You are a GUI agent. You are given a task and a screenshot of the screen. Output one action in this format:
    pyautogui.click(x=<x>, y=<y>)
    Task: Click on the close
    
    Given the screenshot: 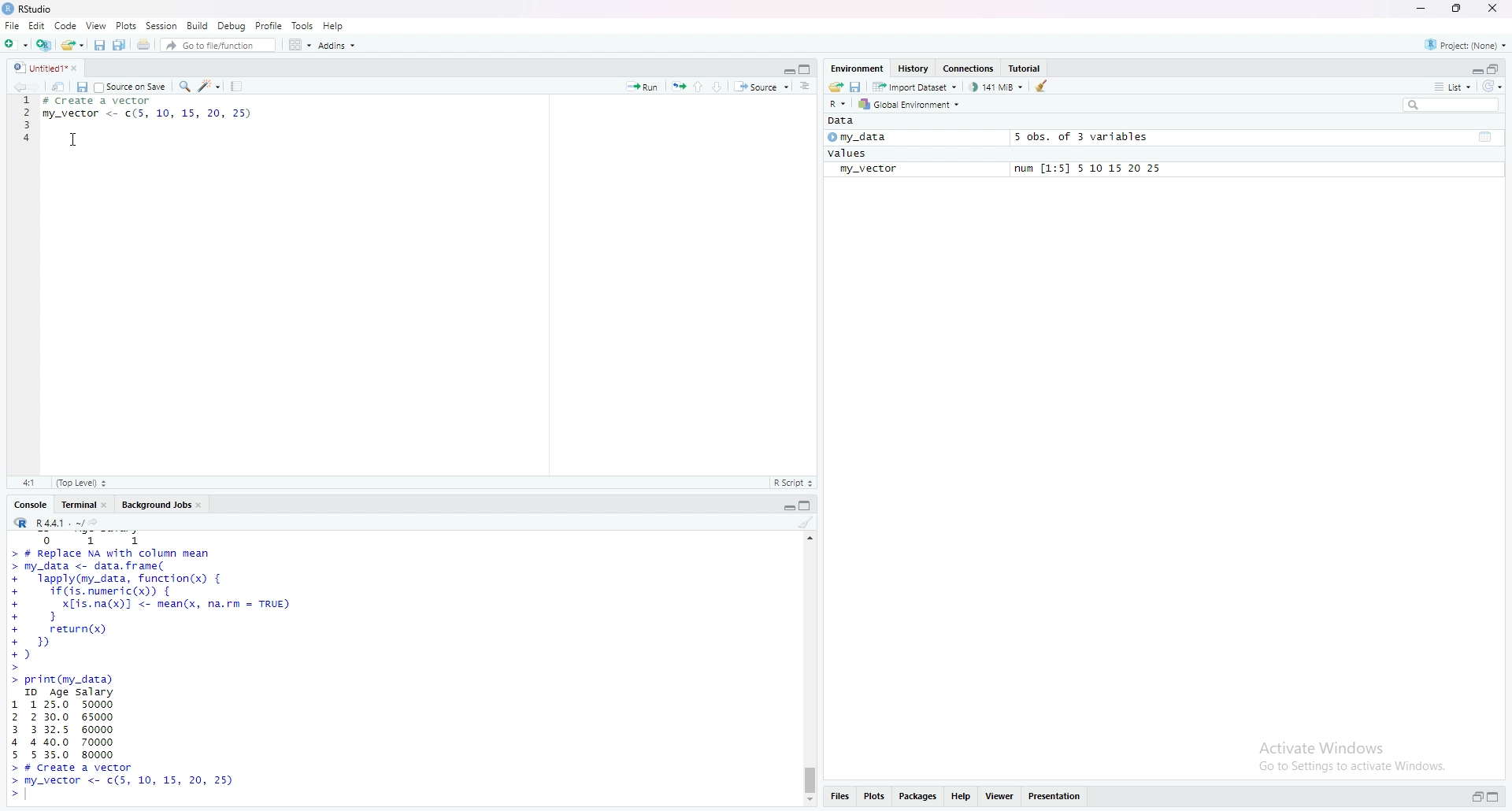 What is the action you would take?
    pyautogui.click(x=1495, y=9)
    